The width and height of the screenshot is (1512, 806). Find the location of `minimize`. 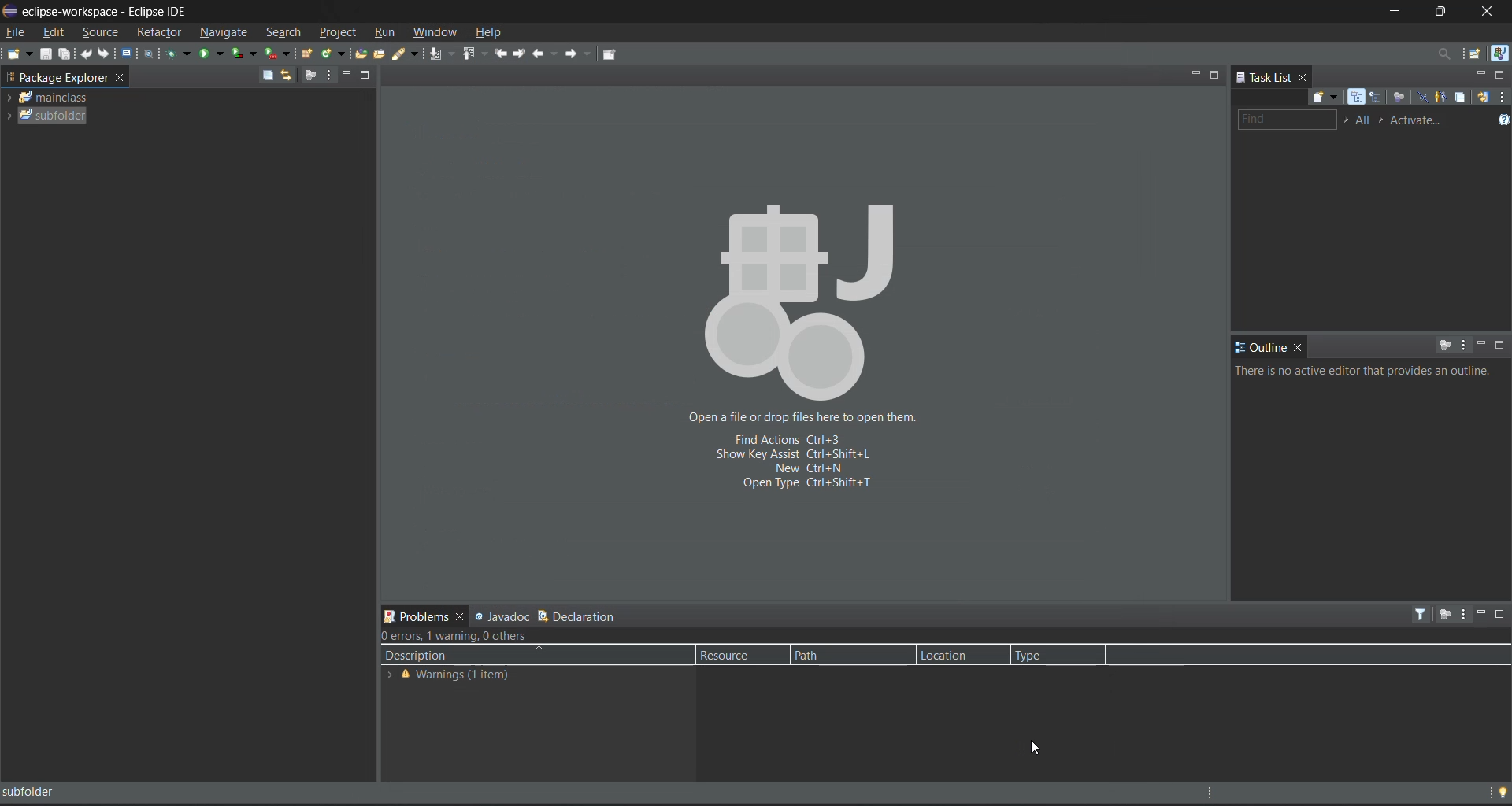

minimize is located at coordinates (1393, 13).